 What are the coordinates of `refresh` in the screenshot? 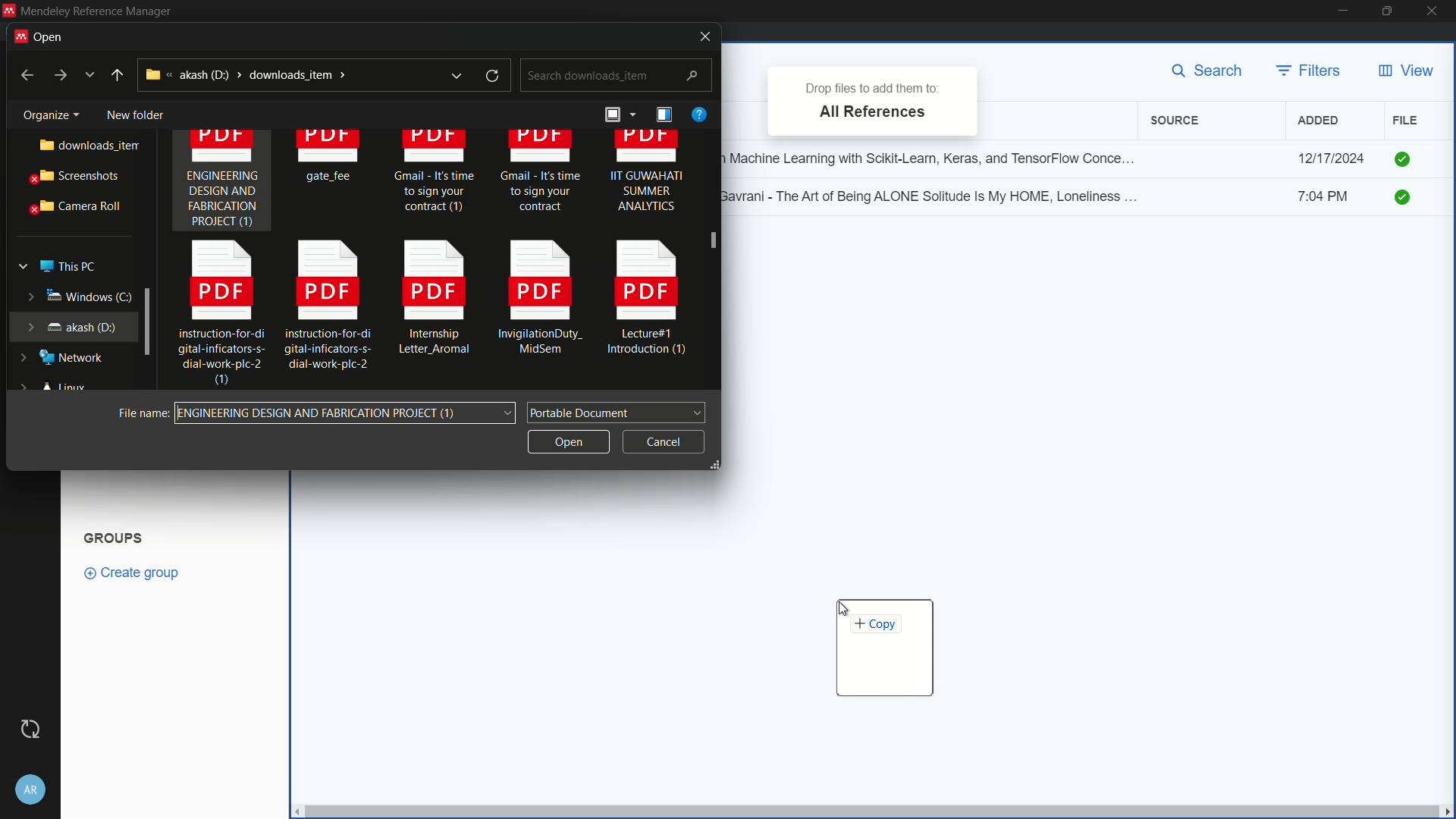 It's located at (494, 76).